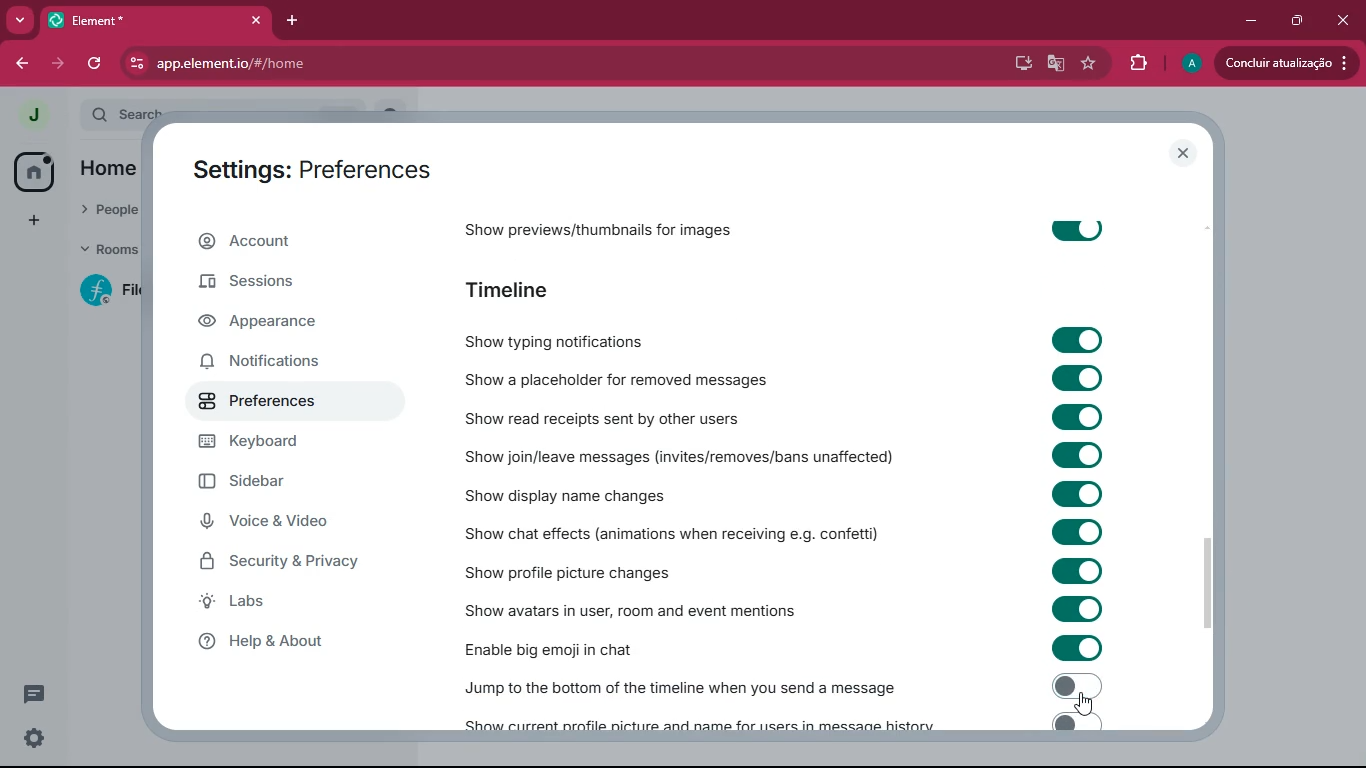  I want to click on toggle on , so click(1075, 721).